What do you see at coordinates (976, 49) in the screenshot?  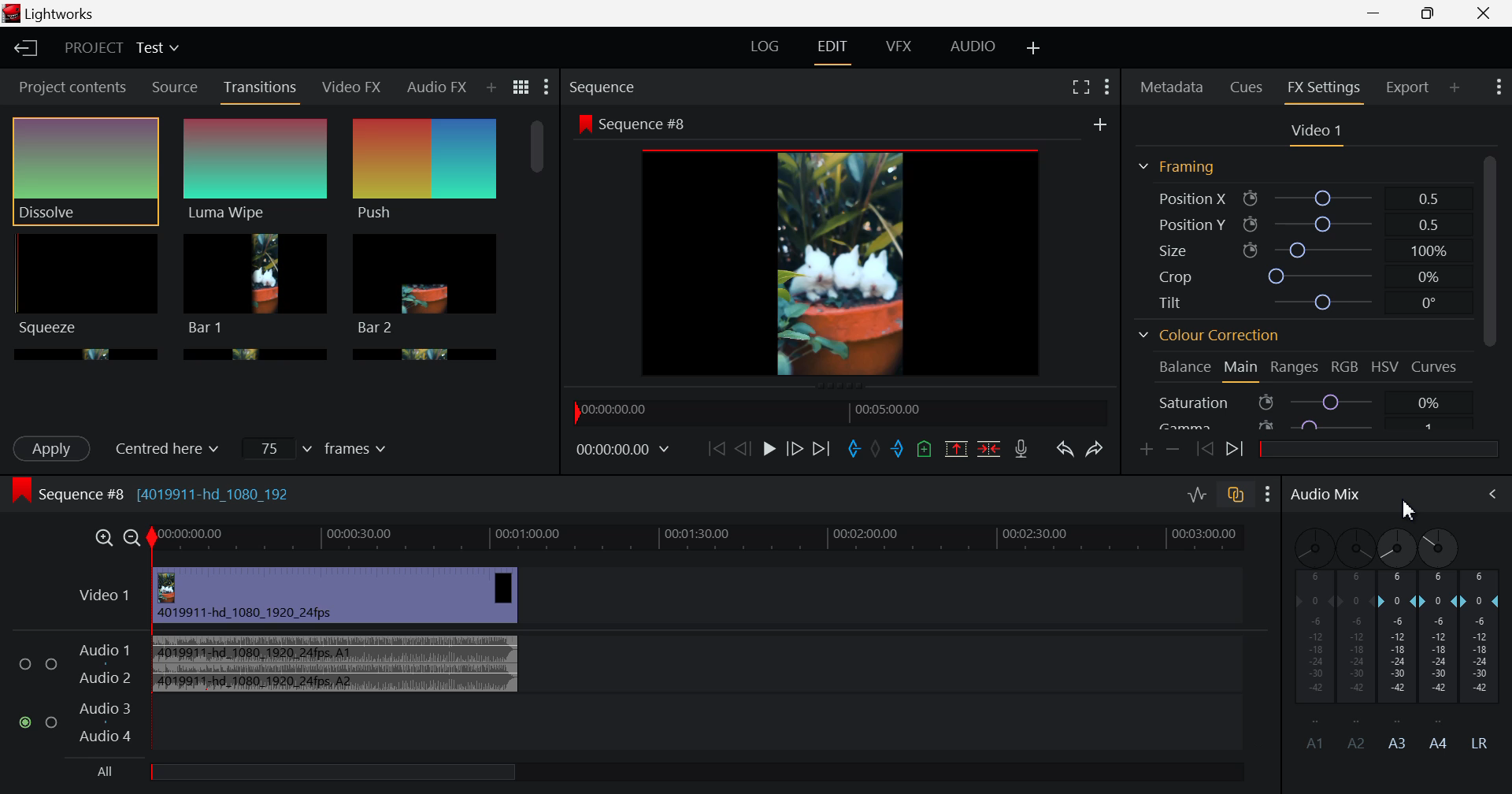 I see `AUDIO Layout` at bounding box center [976, 49].